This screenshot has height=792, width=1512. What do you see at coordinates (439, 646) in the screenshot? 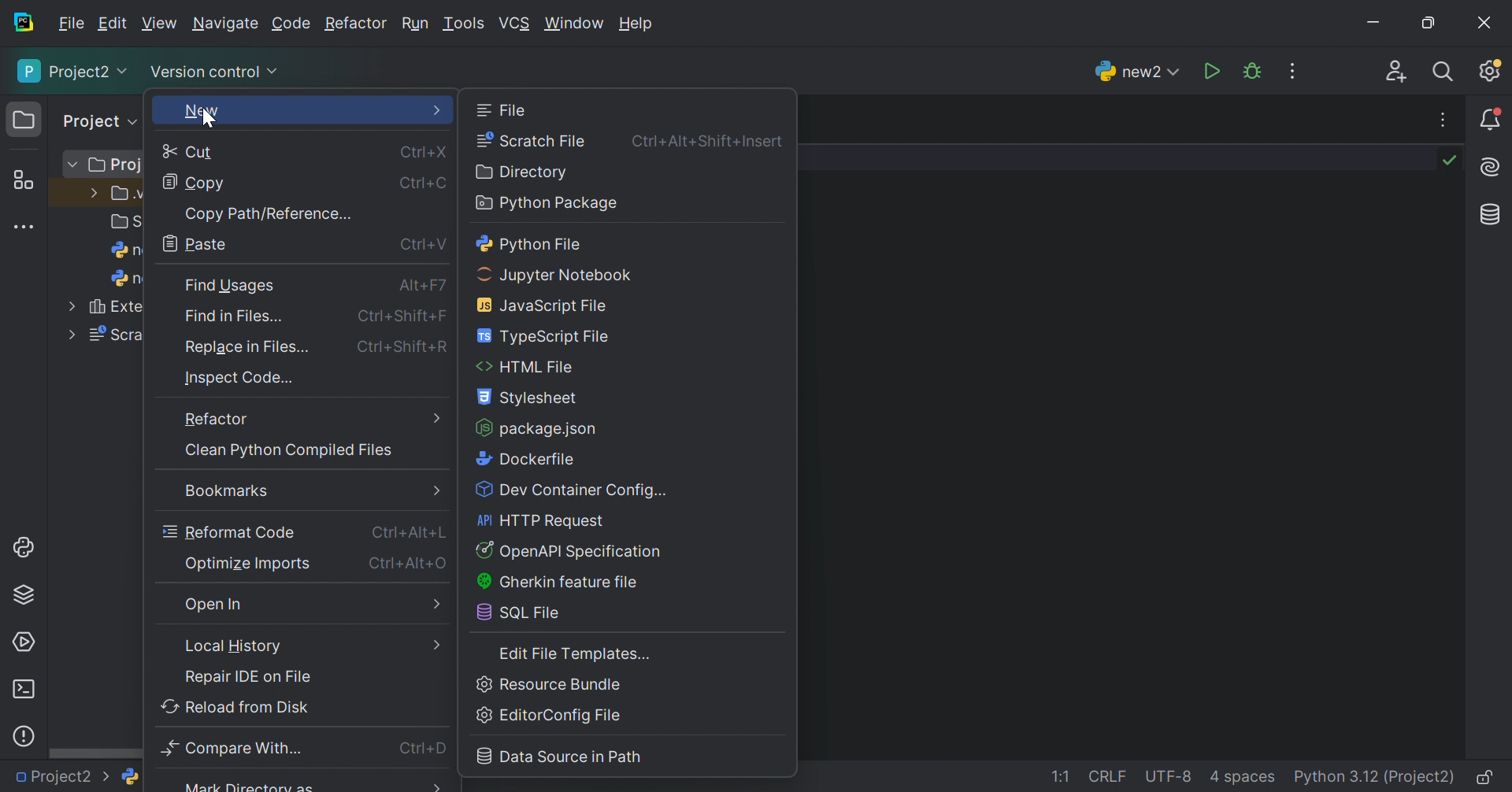
I see `more` at bounding box center [439, 646].